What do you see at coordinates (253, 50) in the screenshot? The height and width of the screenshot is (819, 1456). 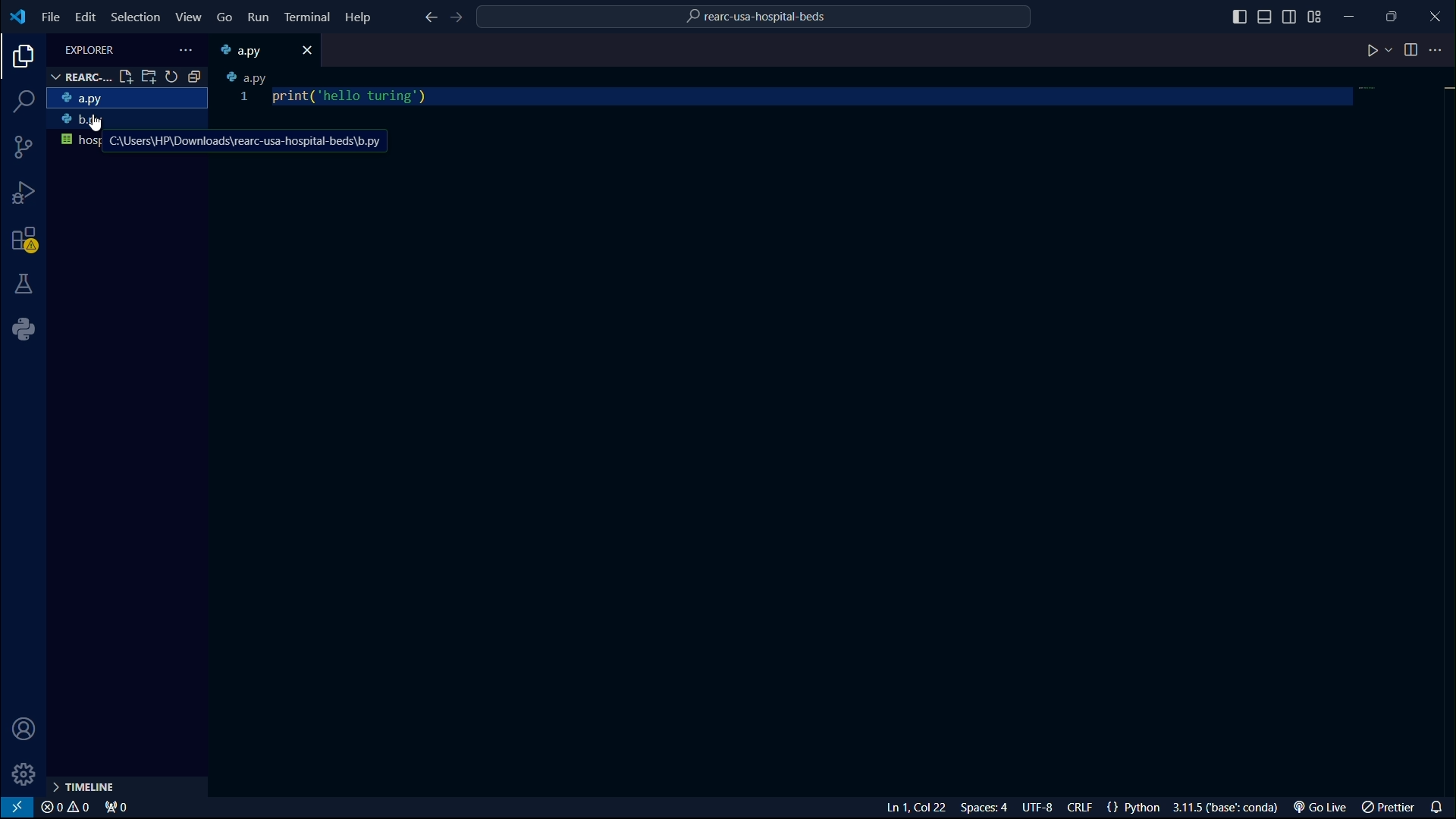 I see `a.py` at bounding box center [253, 50].